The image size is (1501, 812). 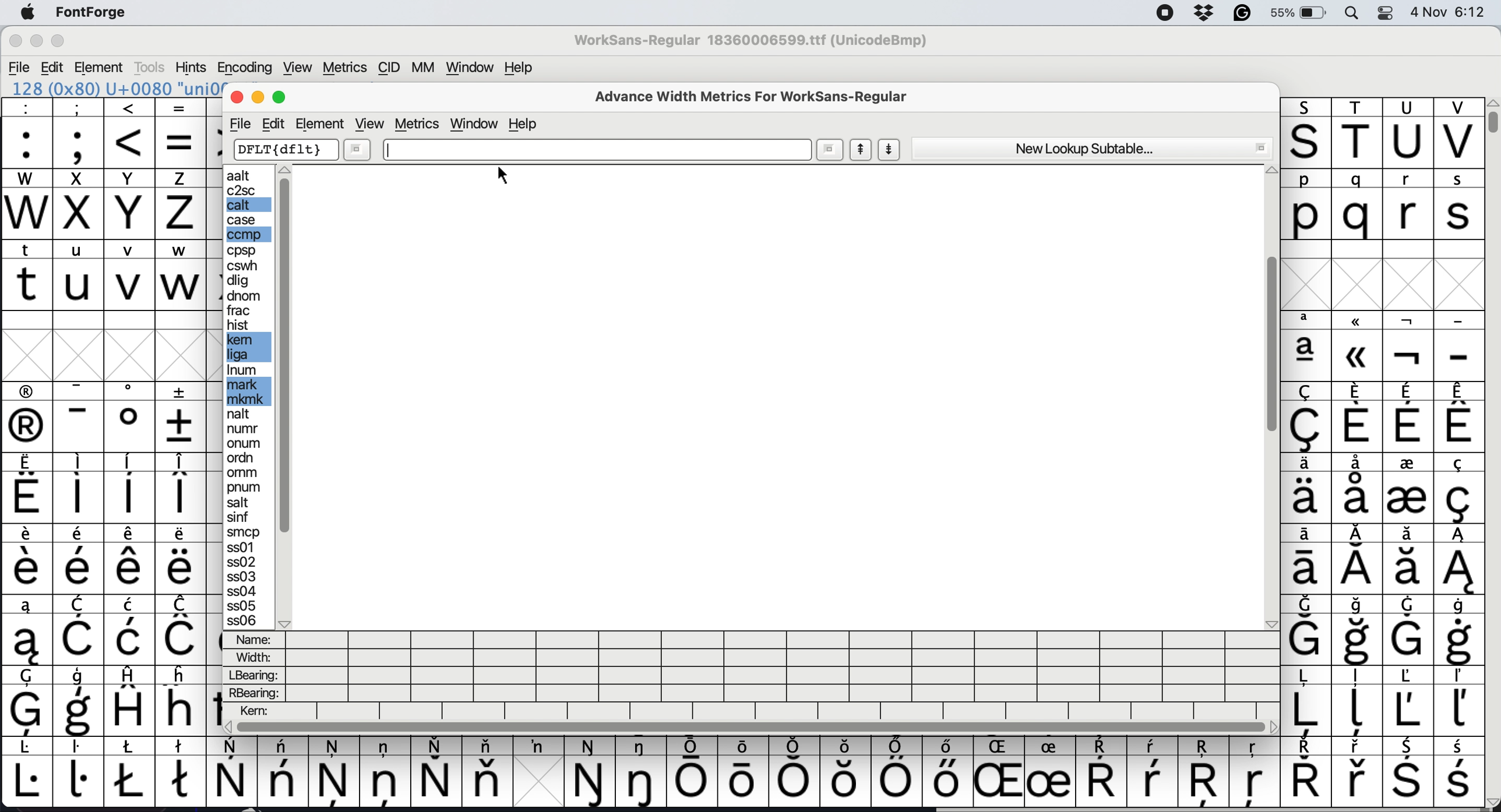 I want to click on name, so click(x=256, y=640).